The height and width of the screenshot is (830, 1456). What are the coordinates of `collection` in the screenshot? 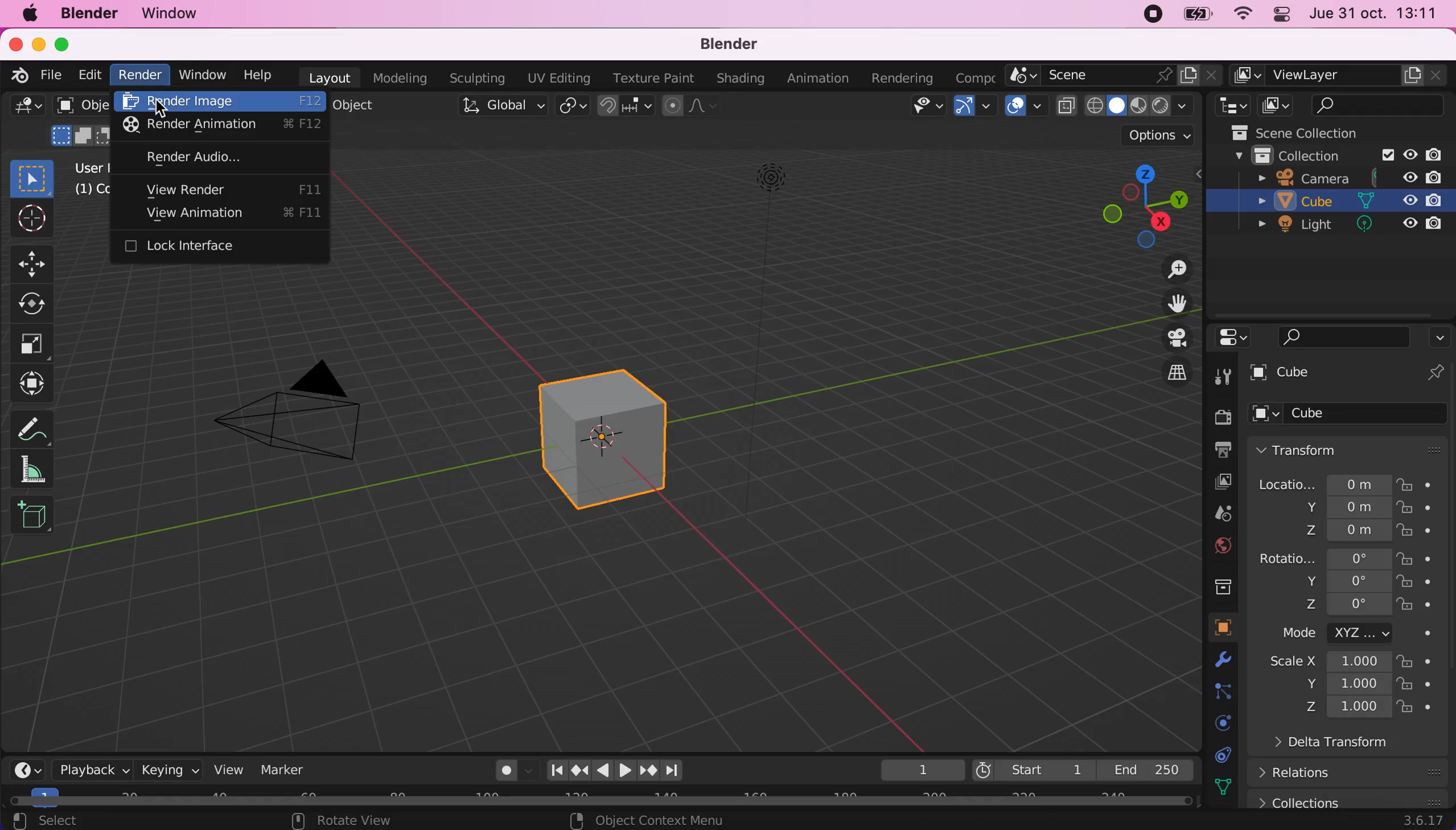 It's located at (1328, 154).